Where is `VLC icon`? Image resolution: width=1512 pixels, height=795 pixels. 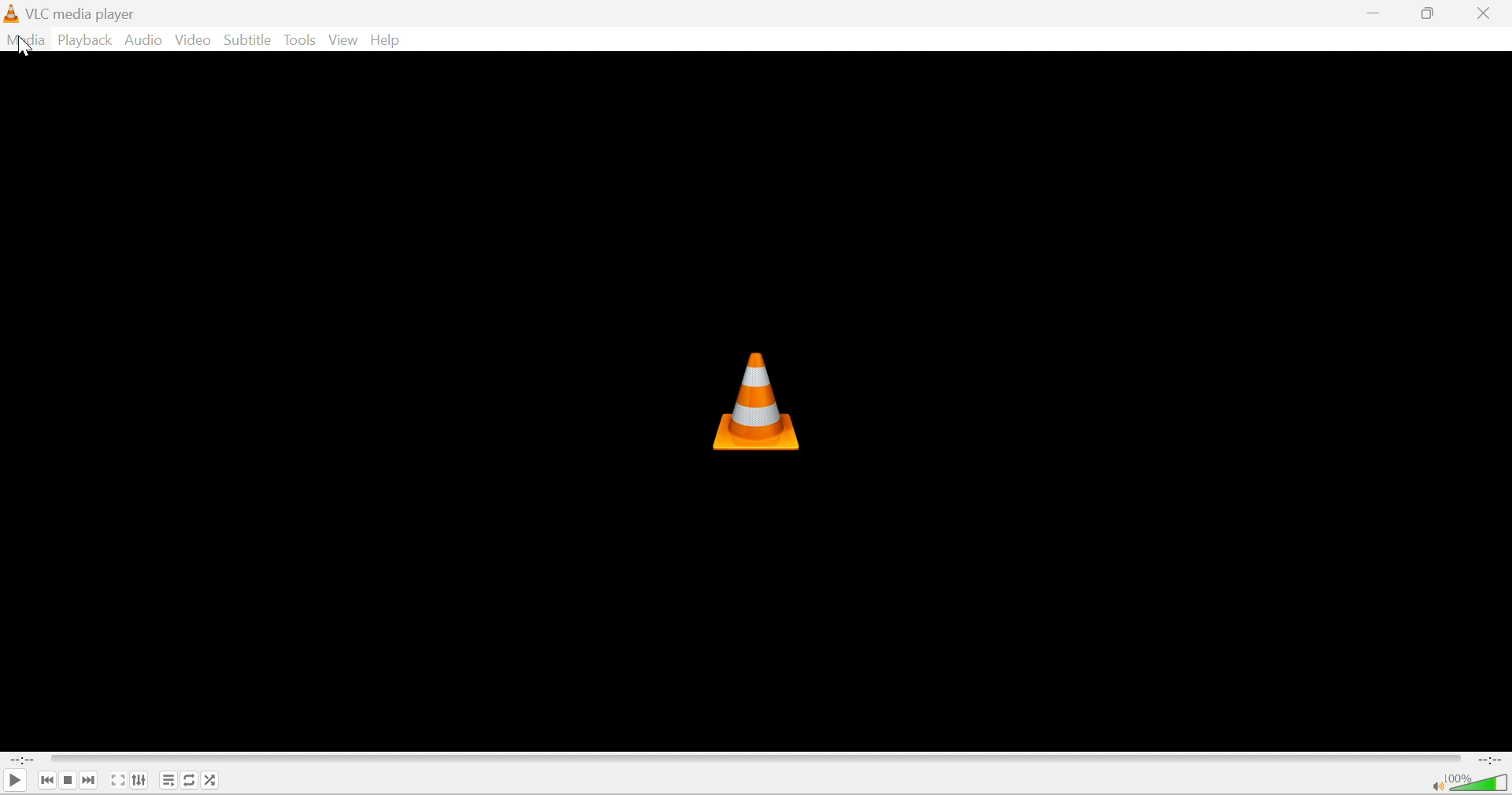 VLC icon is located at coordinates (754, 401).